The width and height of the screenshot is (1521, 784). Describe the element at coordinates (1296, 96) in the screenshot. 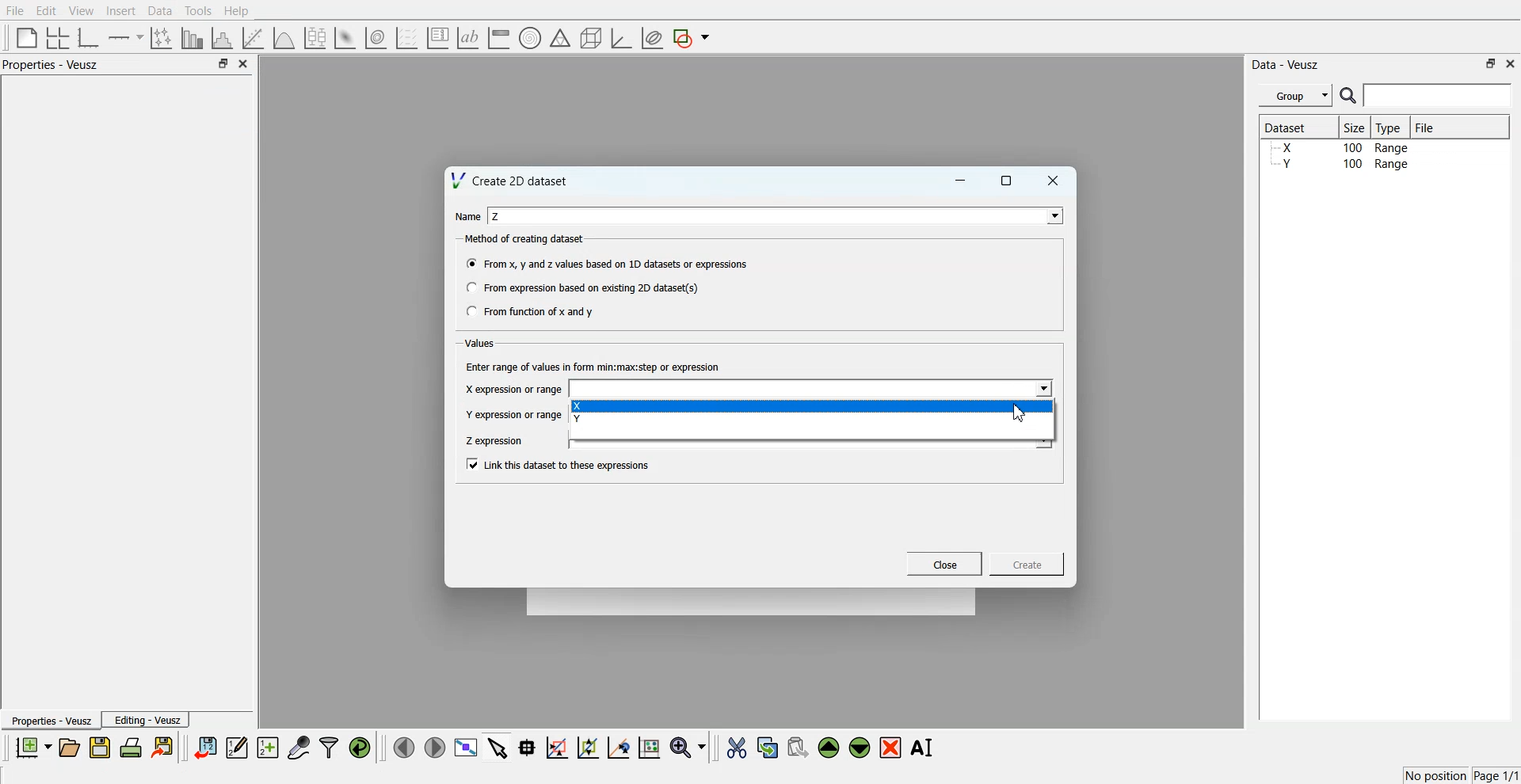

I see `Group` at that location.